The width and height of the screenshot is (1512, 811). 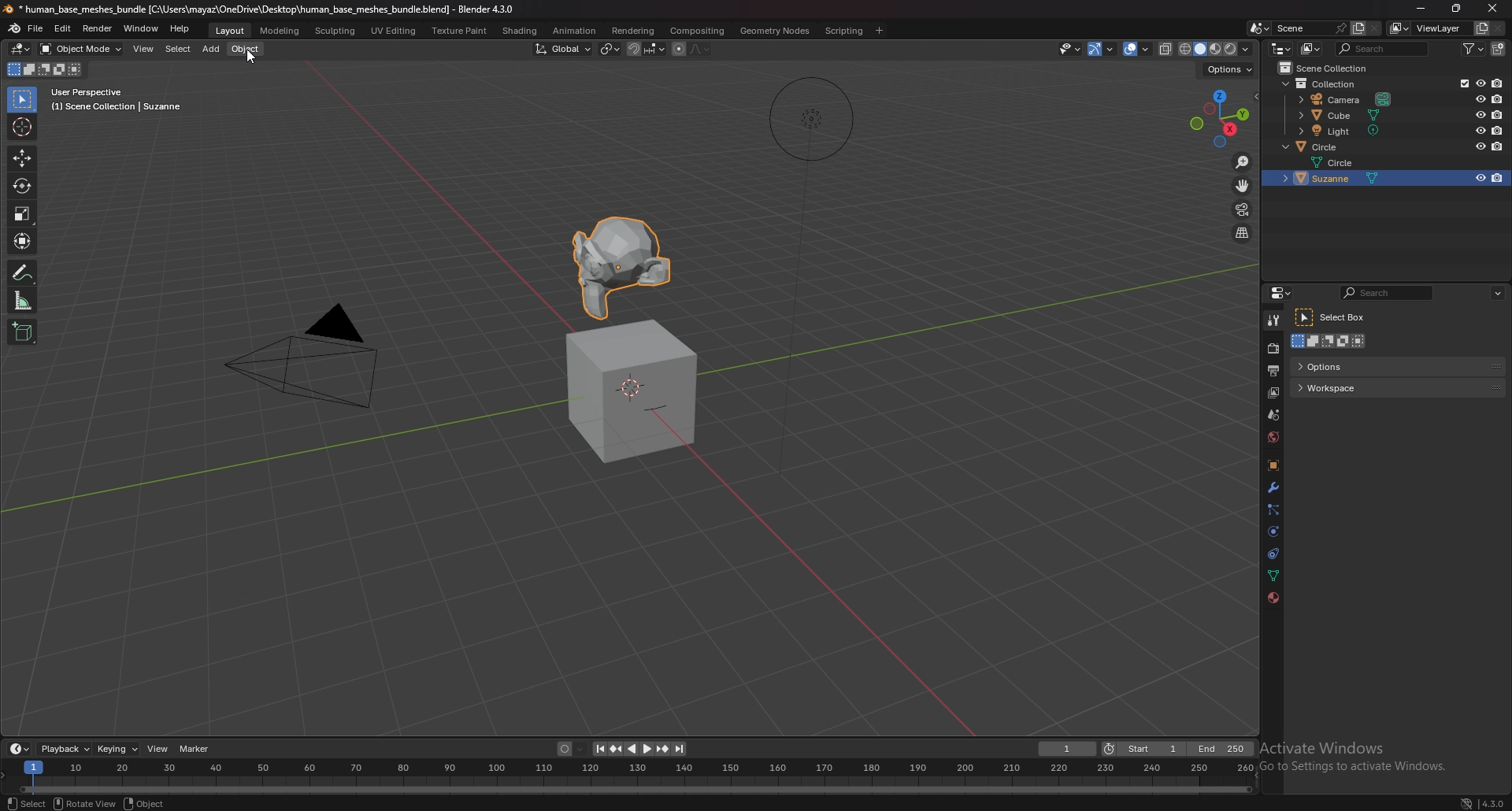 I want to click on render, so click(x=1273, y=348).